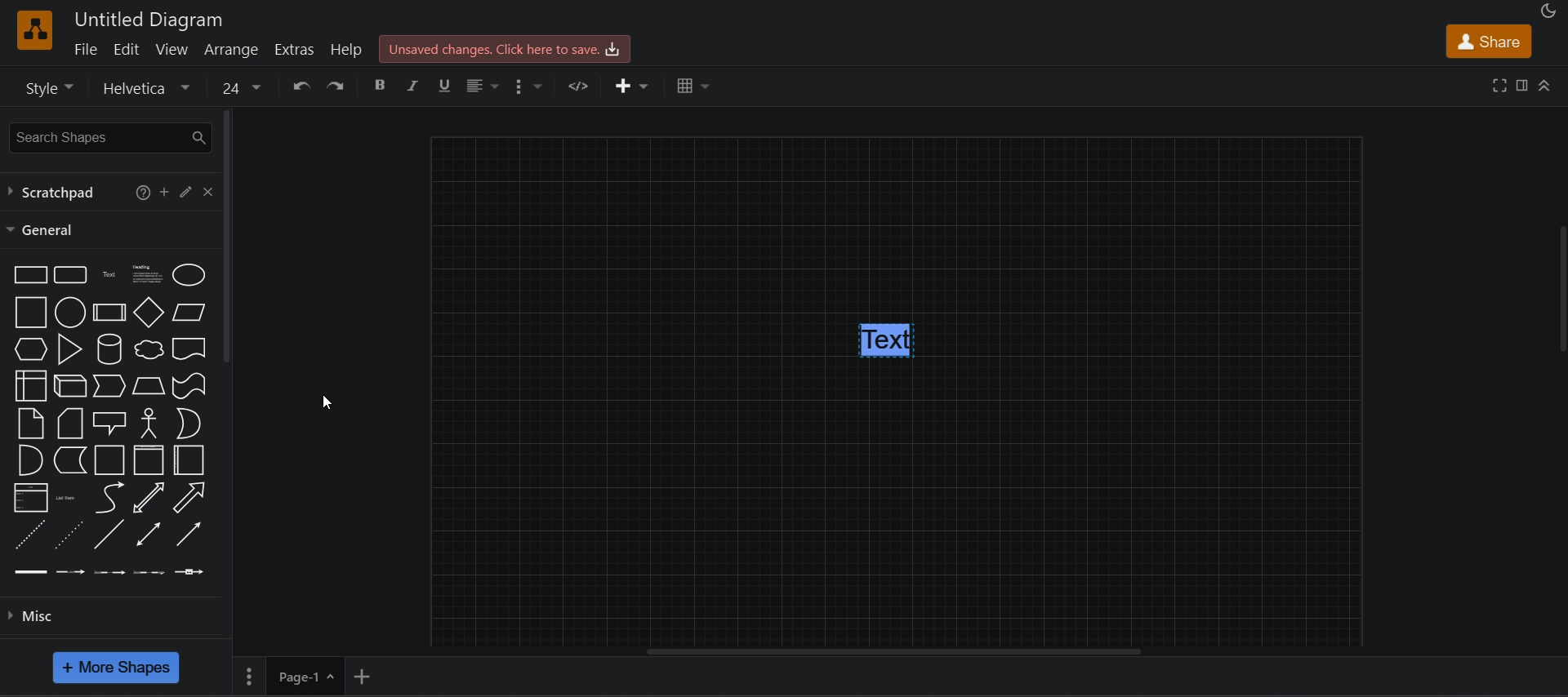  What do you see at coordinates (109, 573) in the screenshot?
I see `Connector with 2 labels` at bounding box center [109, 573].